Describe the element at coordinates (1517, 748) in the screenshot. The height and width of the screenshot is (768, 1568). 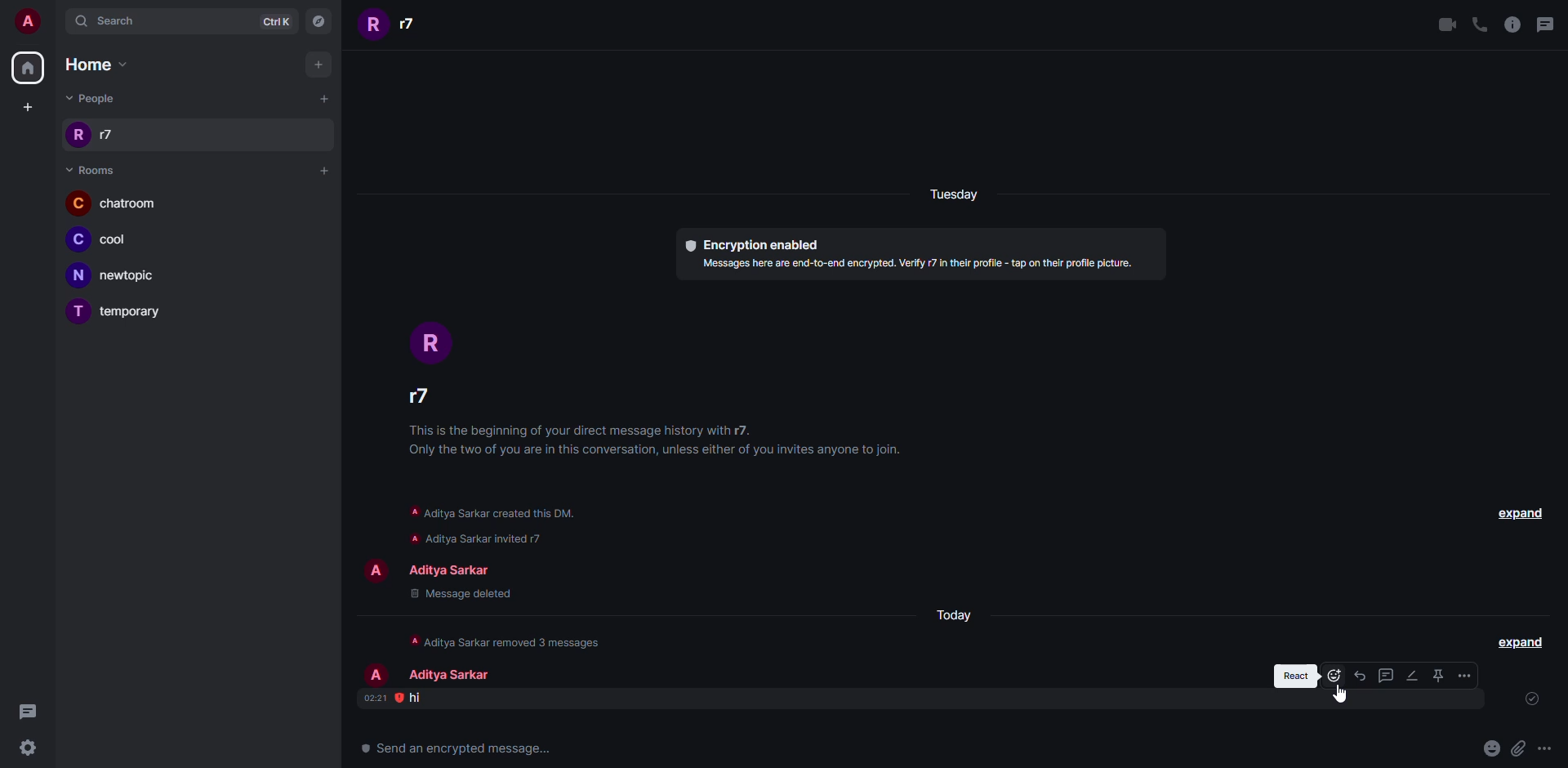
I see `attach` at that location.